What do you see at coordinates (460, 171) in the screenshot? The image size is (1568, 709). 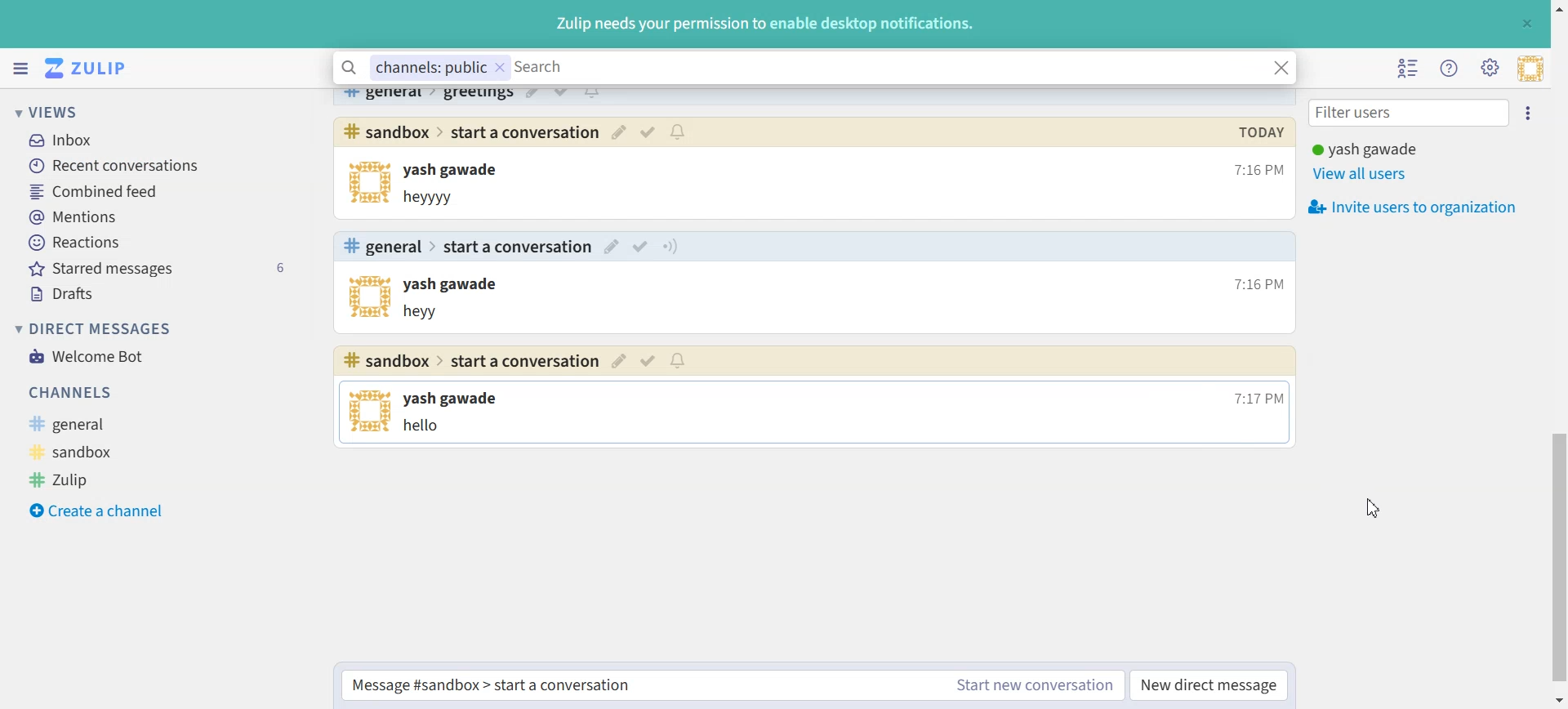 I see `yash gawade` at bounding box center [460, 171].